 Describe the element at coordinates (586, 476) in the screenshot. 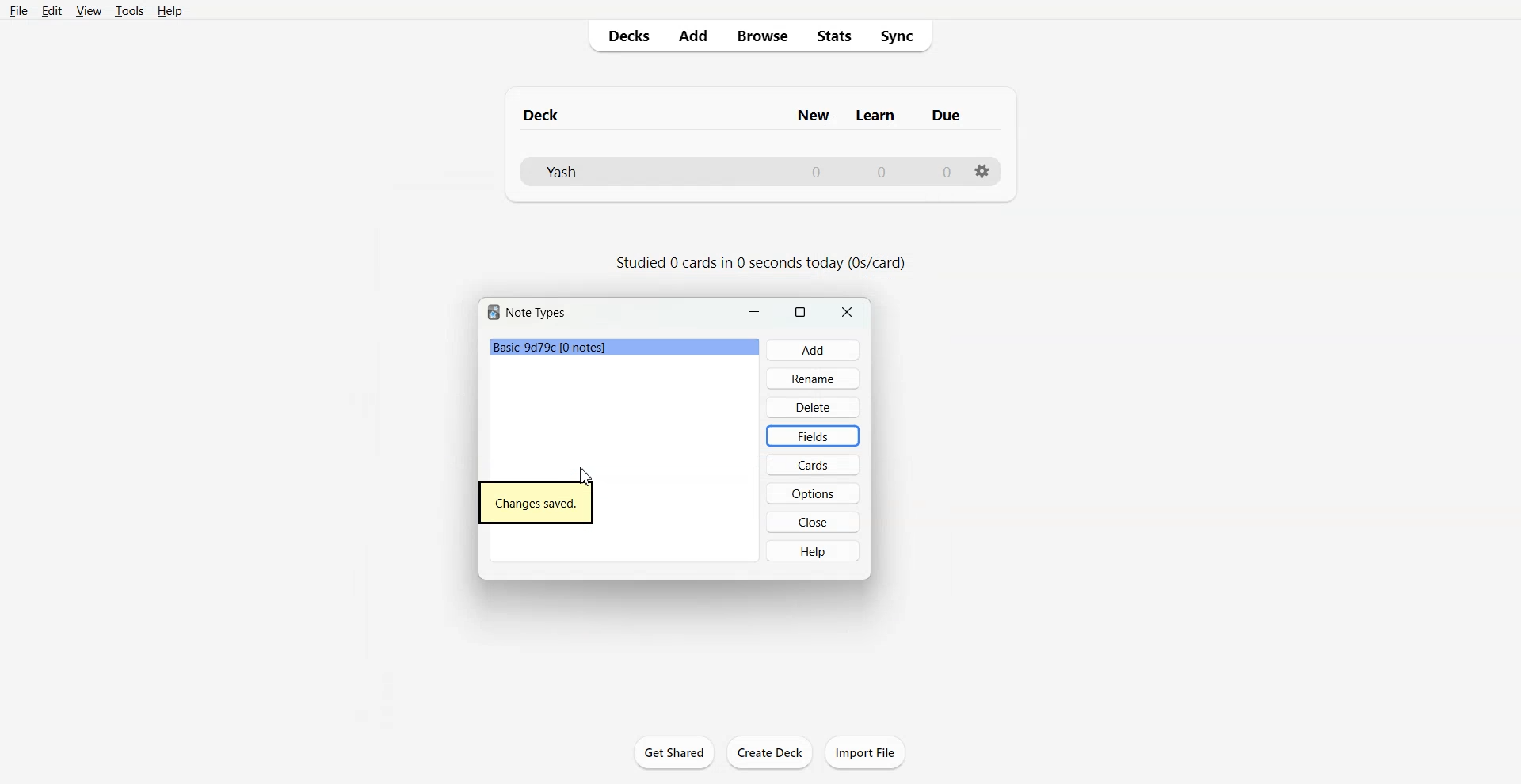

I see `Cursor` at that location.